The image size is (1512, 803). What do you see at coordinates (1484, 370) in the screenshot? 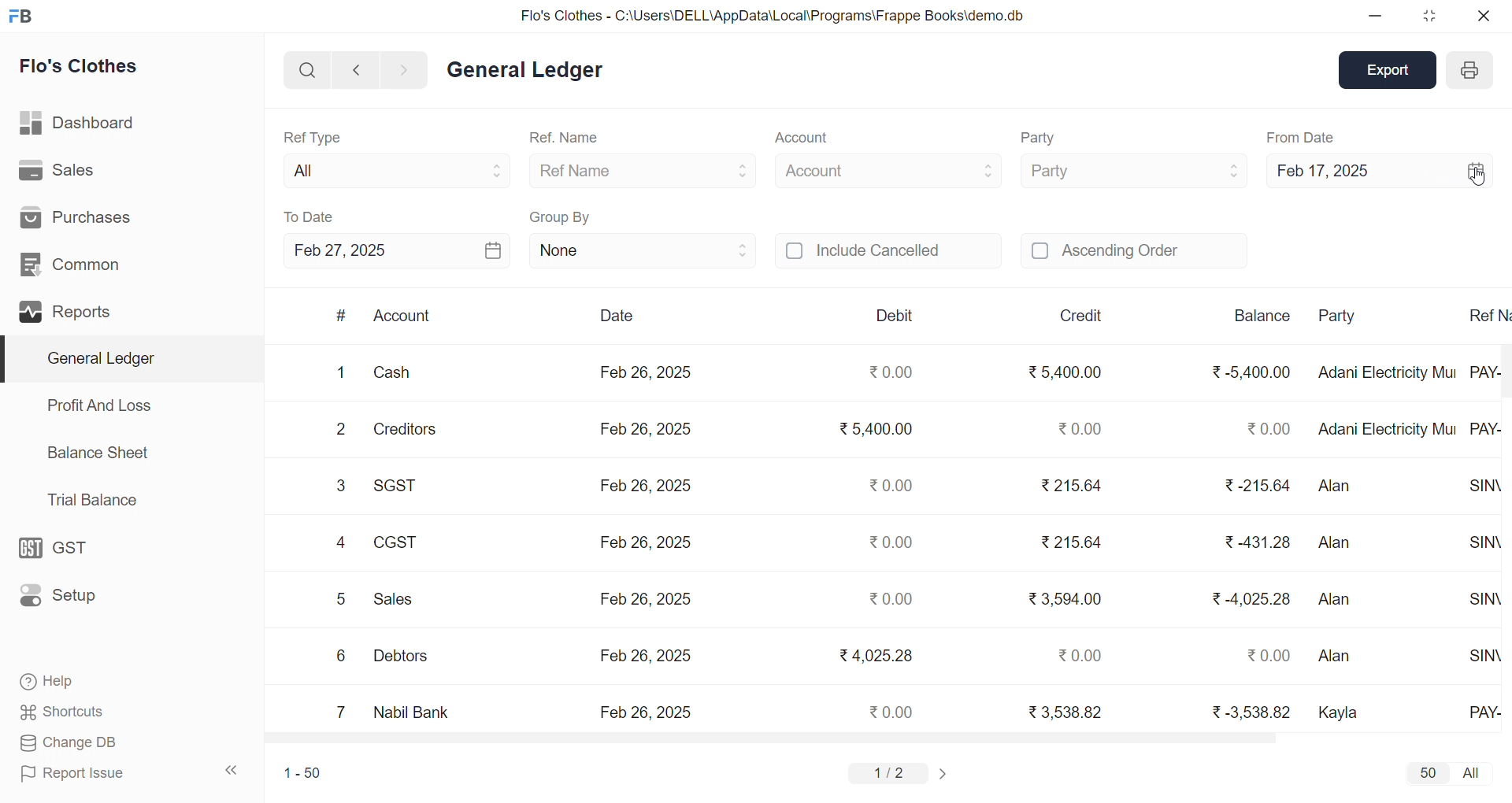
I see `PAY-` at bounding box center [1484, 370].